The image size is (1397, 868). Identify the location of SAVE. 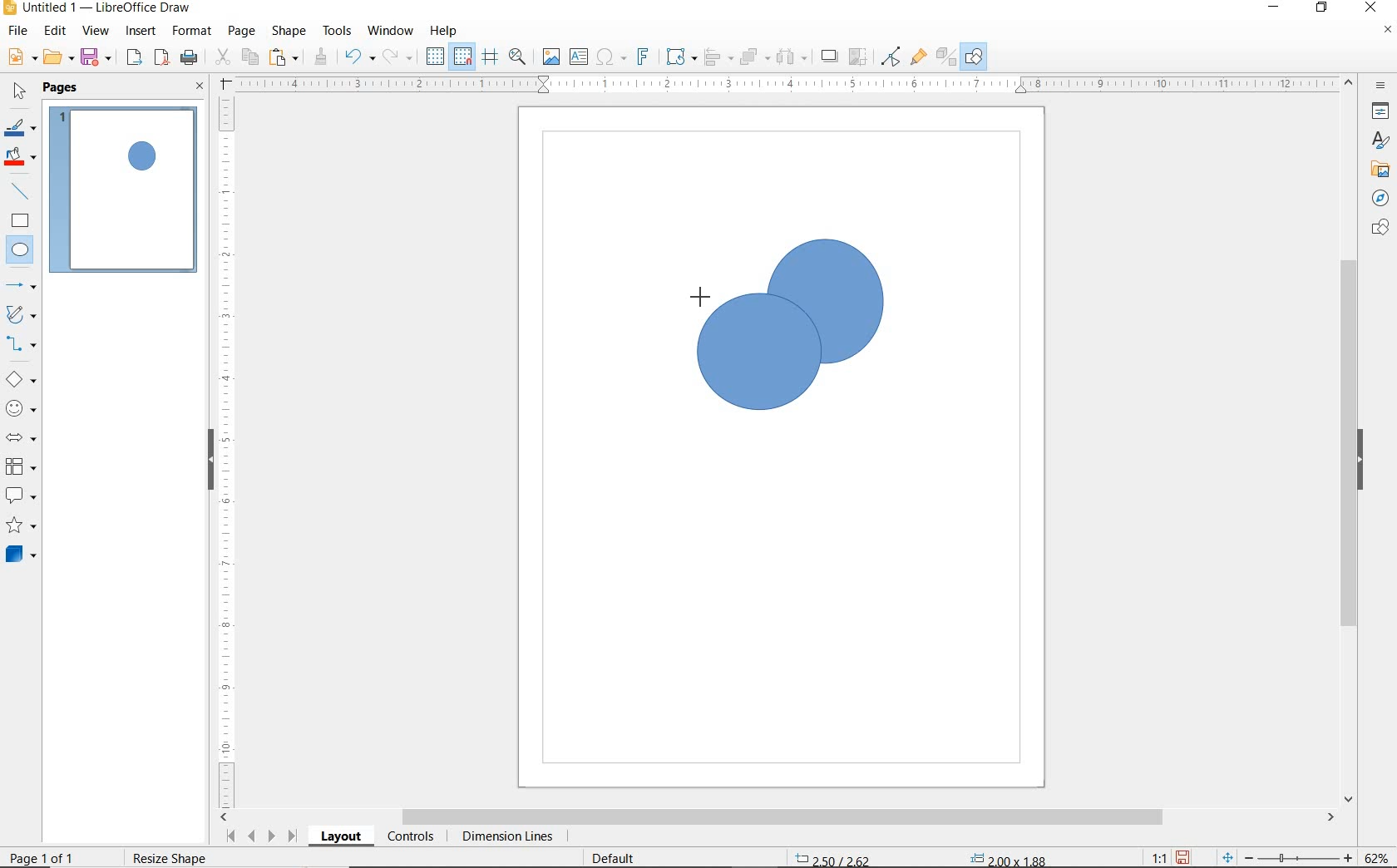
(98, 57).